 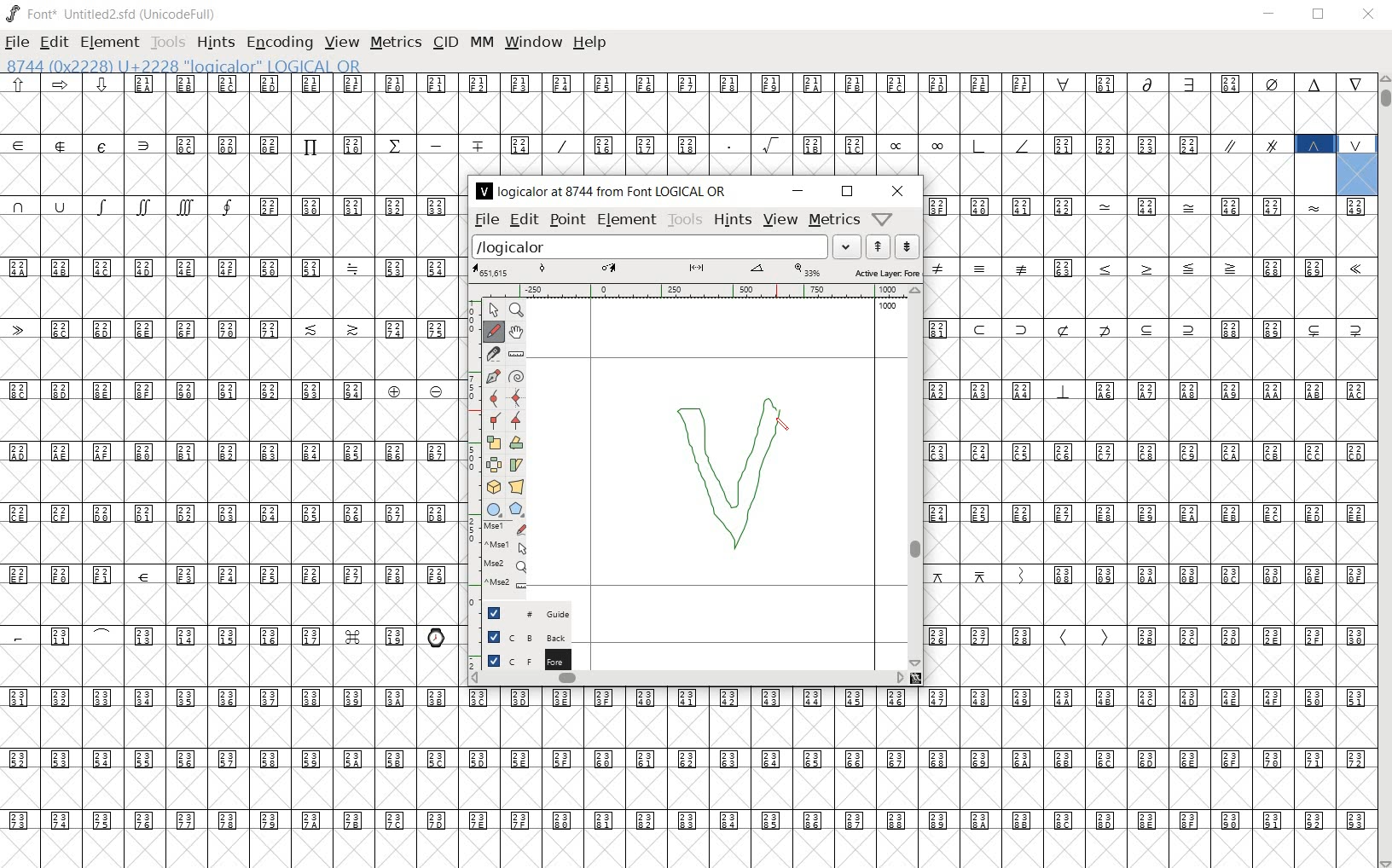 I want to click on pencil tool/cursor navigation, so click(x=786, y=419).